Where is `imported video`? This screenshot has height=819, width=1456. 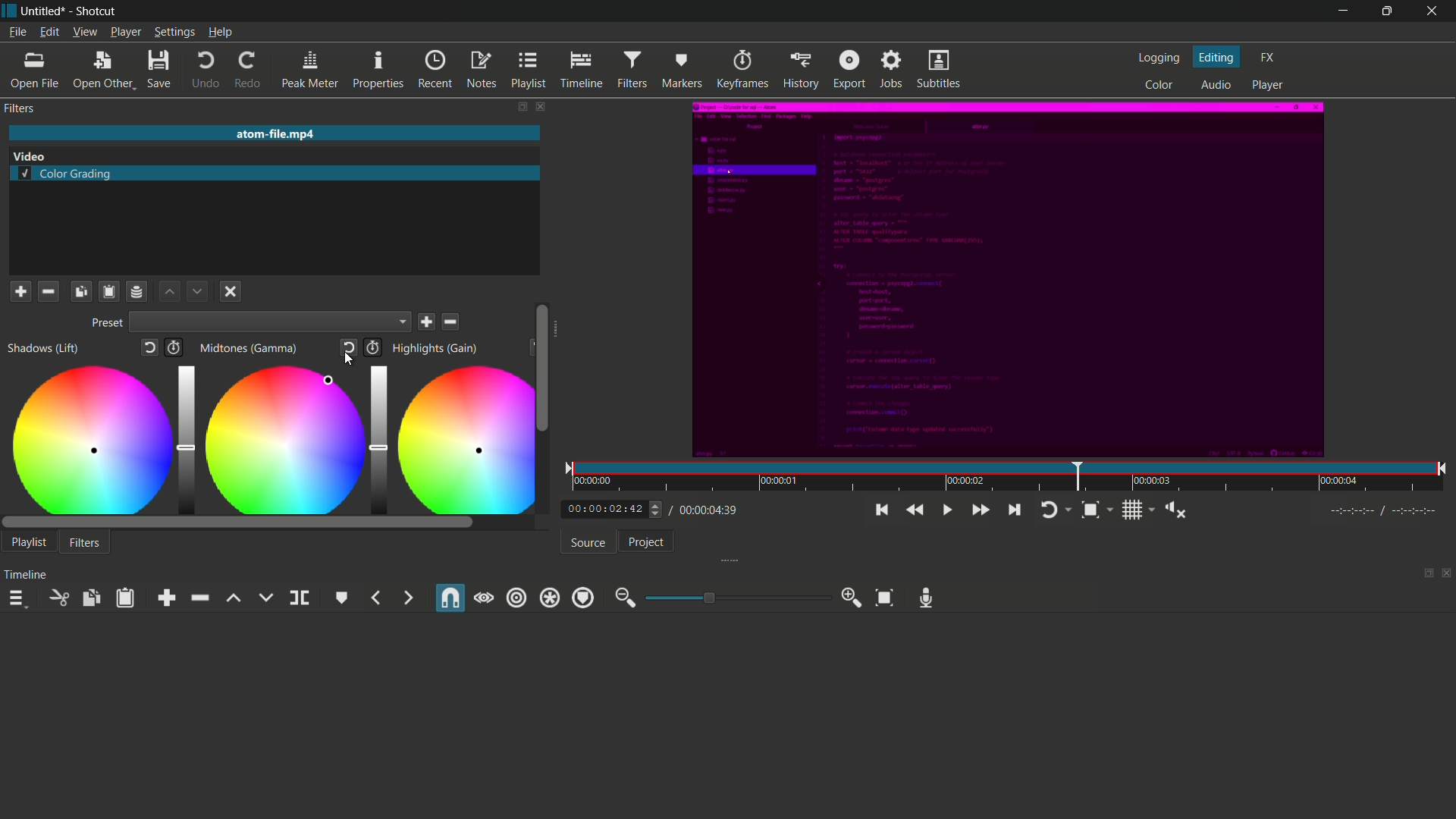 imported video is located at coordinates (1005, 281).